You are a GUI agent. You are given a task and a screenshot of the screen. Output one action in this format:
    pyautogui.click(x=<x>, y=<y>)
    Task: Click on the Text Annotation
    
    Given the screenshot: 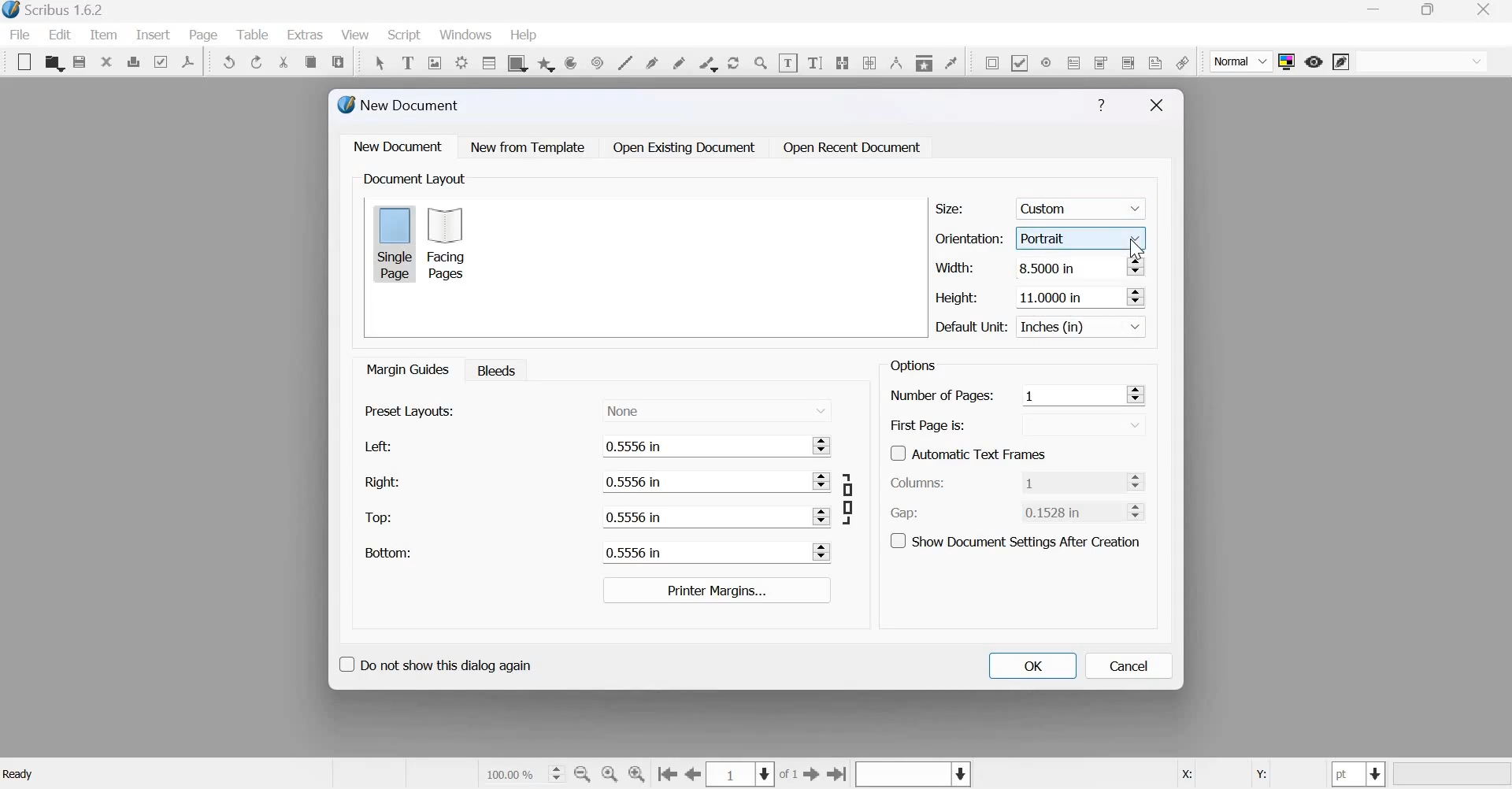 What is the action you would take?
    pyautogui.click(x=1155, y=62)
    